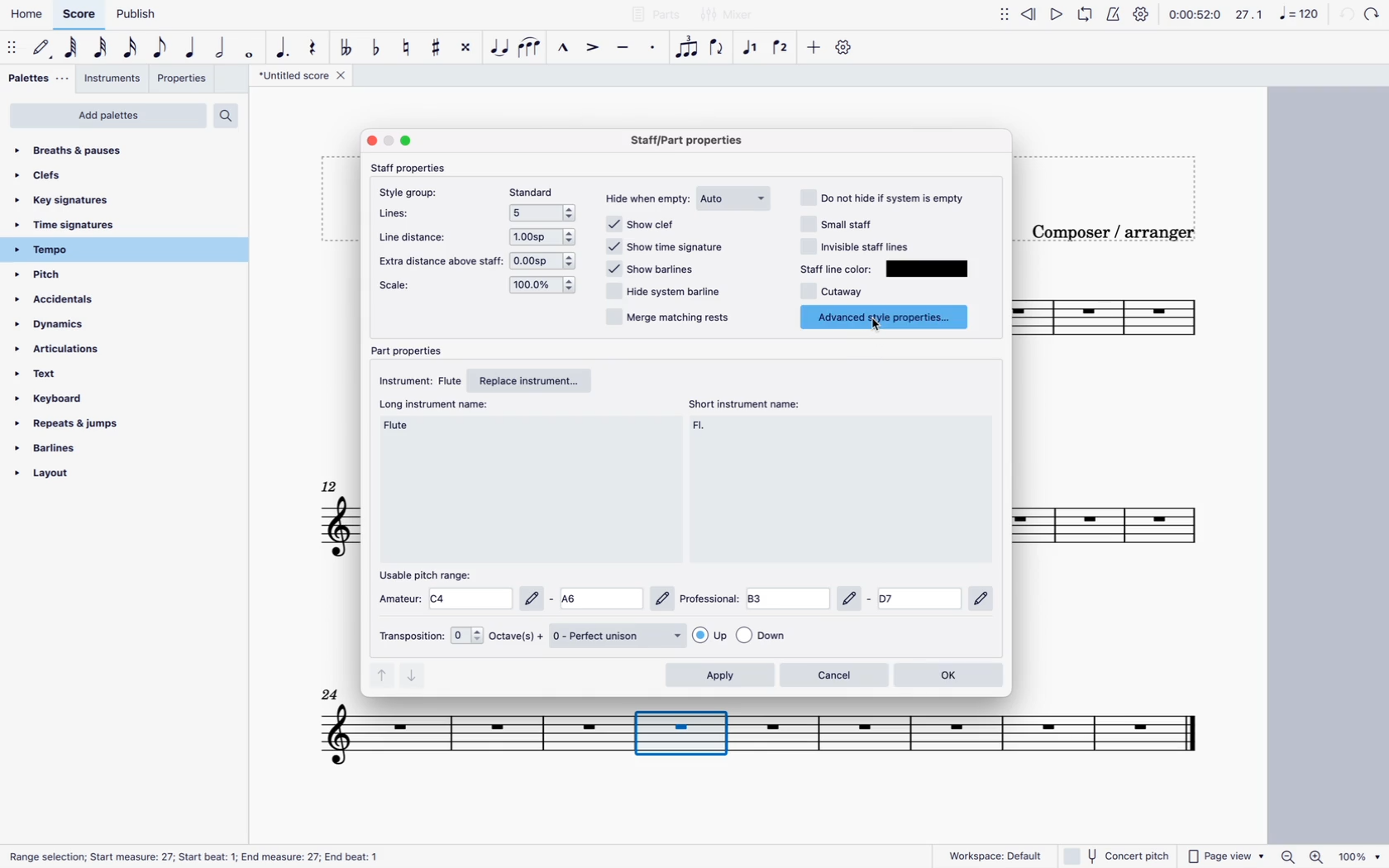 The image size is (1389, 868). What do you see at coordinates (708, 598) in the screenshot?
I see `professional` at bounding box center [708, 598].